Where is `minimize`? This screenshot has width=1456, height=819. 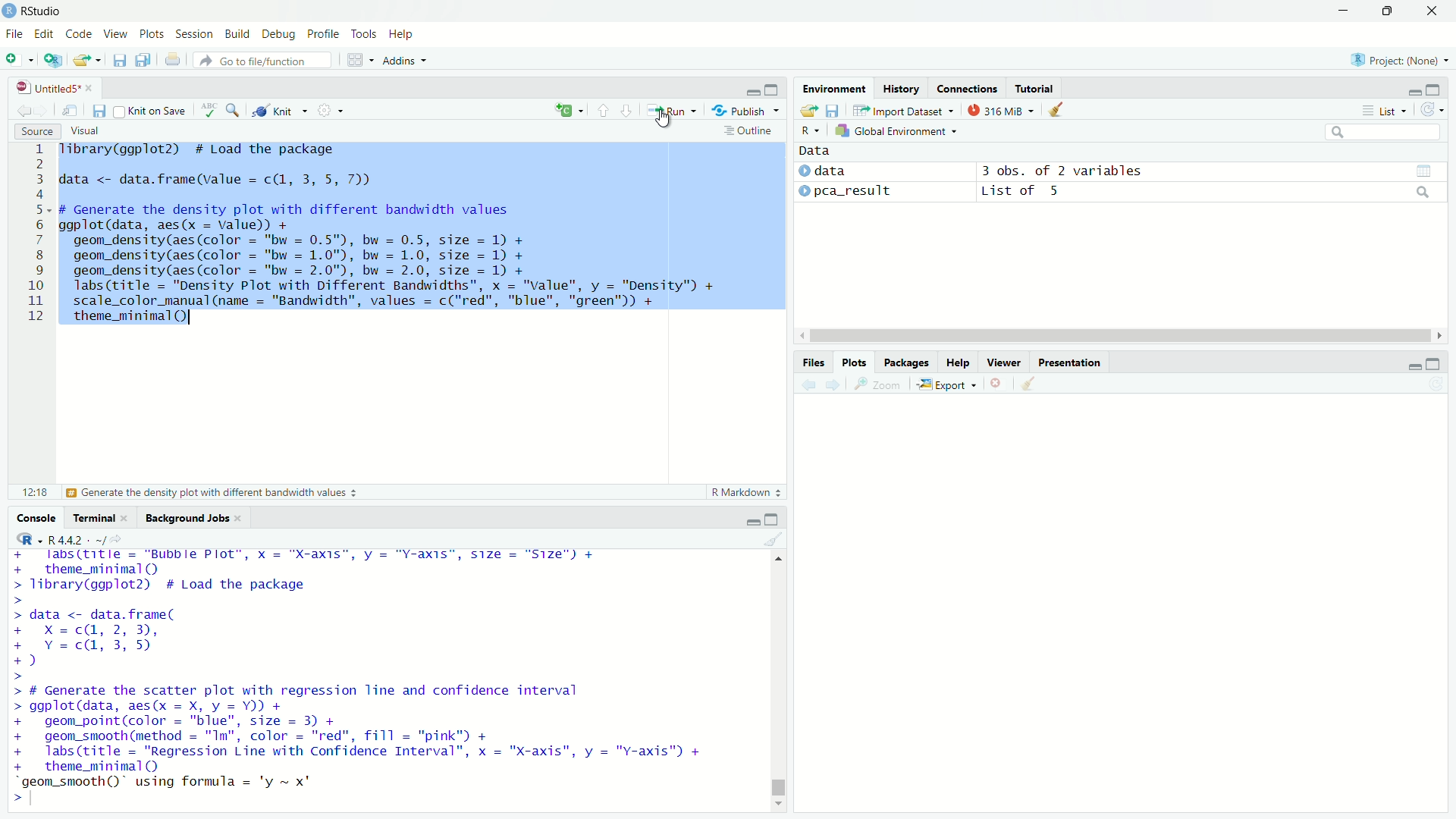 minimize is located at coordinates (1343, 11).